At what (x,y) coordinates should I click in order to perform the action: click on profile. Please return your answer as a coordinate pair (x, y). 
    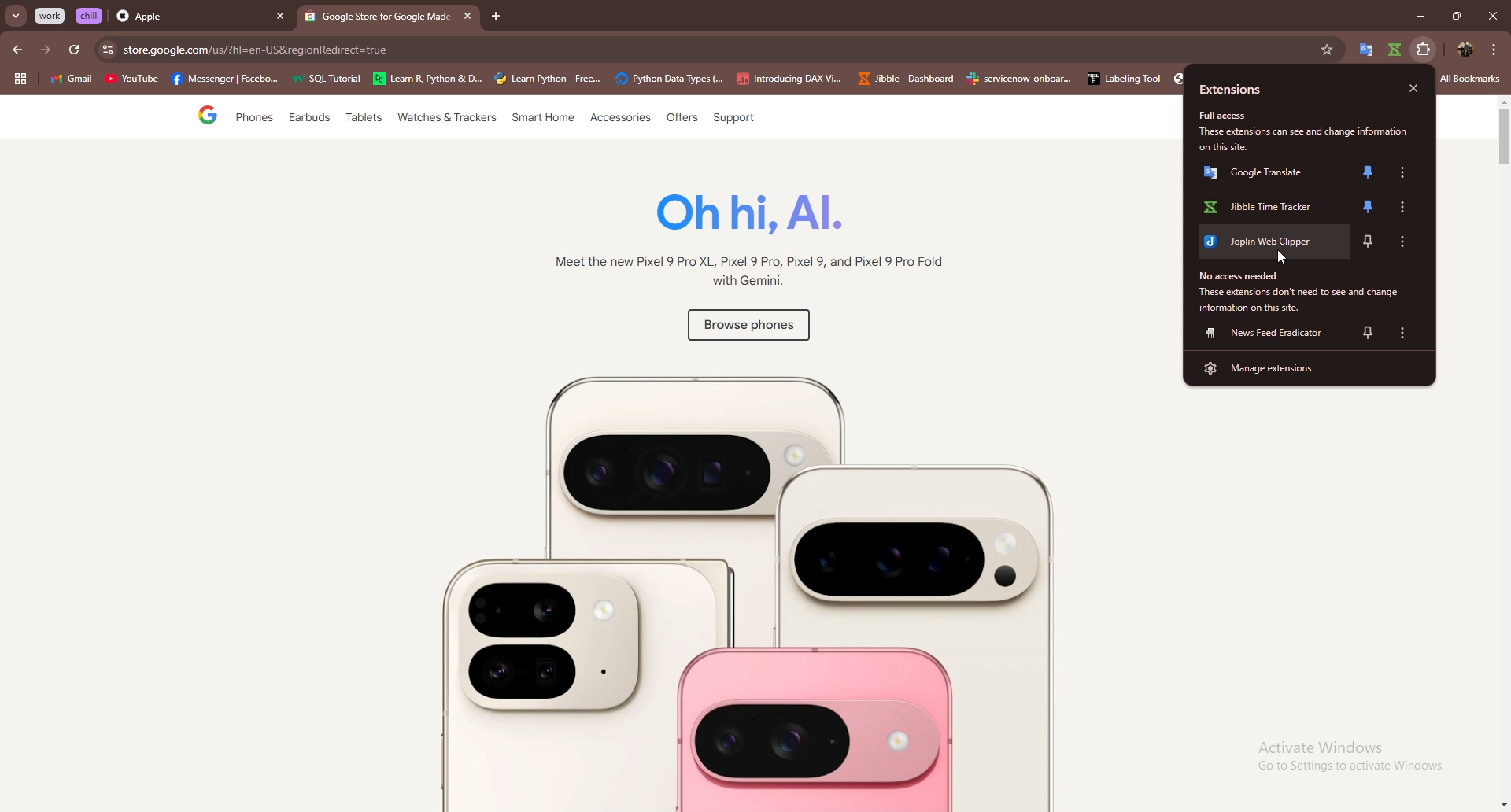
    Looking at the image, I should click on (1462, 50).